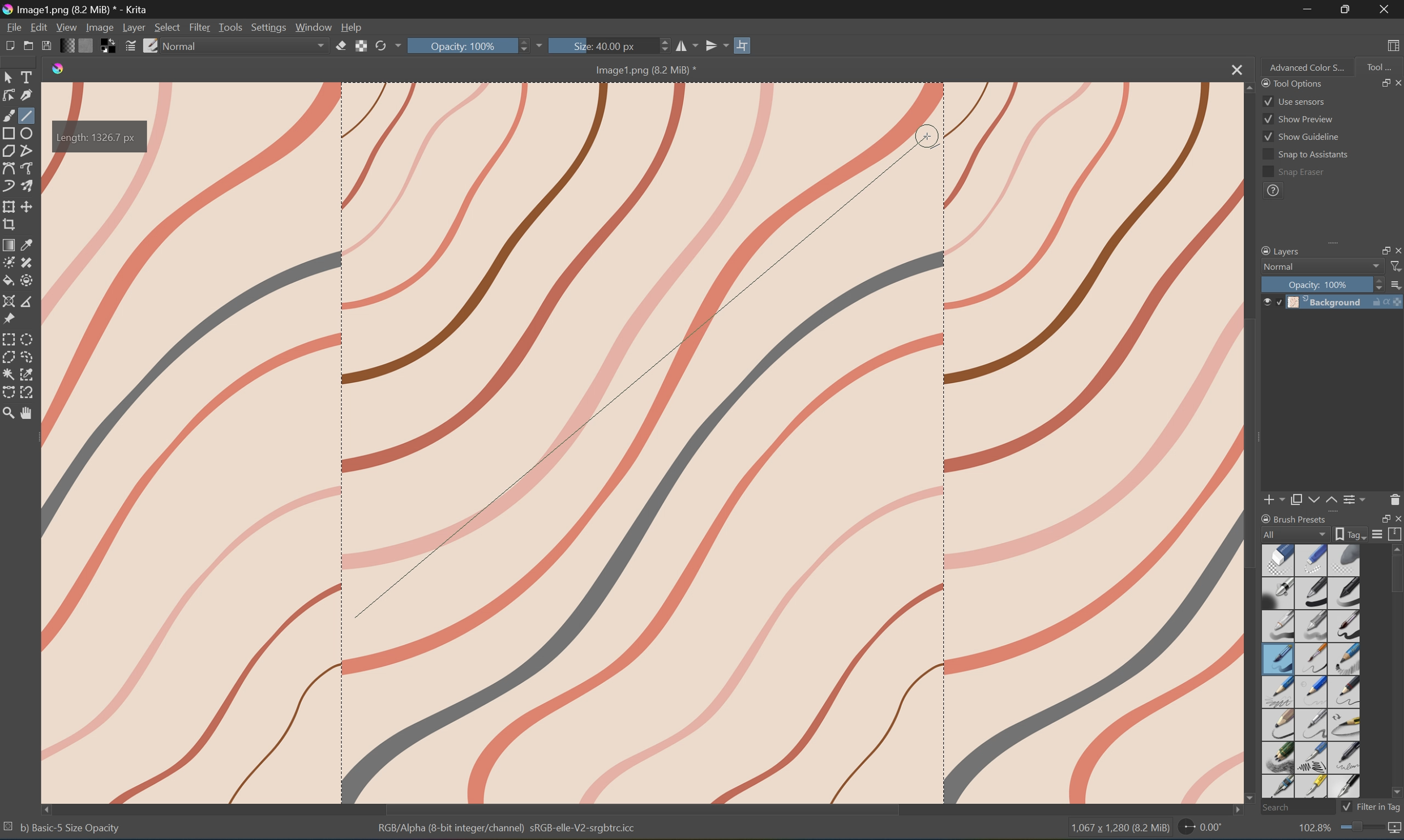 The height and width of the screenshot is (840, 1404). Describe the element at coordinates (1356, 498) in the screenshot. I see `View or change the layer properties` at that location.